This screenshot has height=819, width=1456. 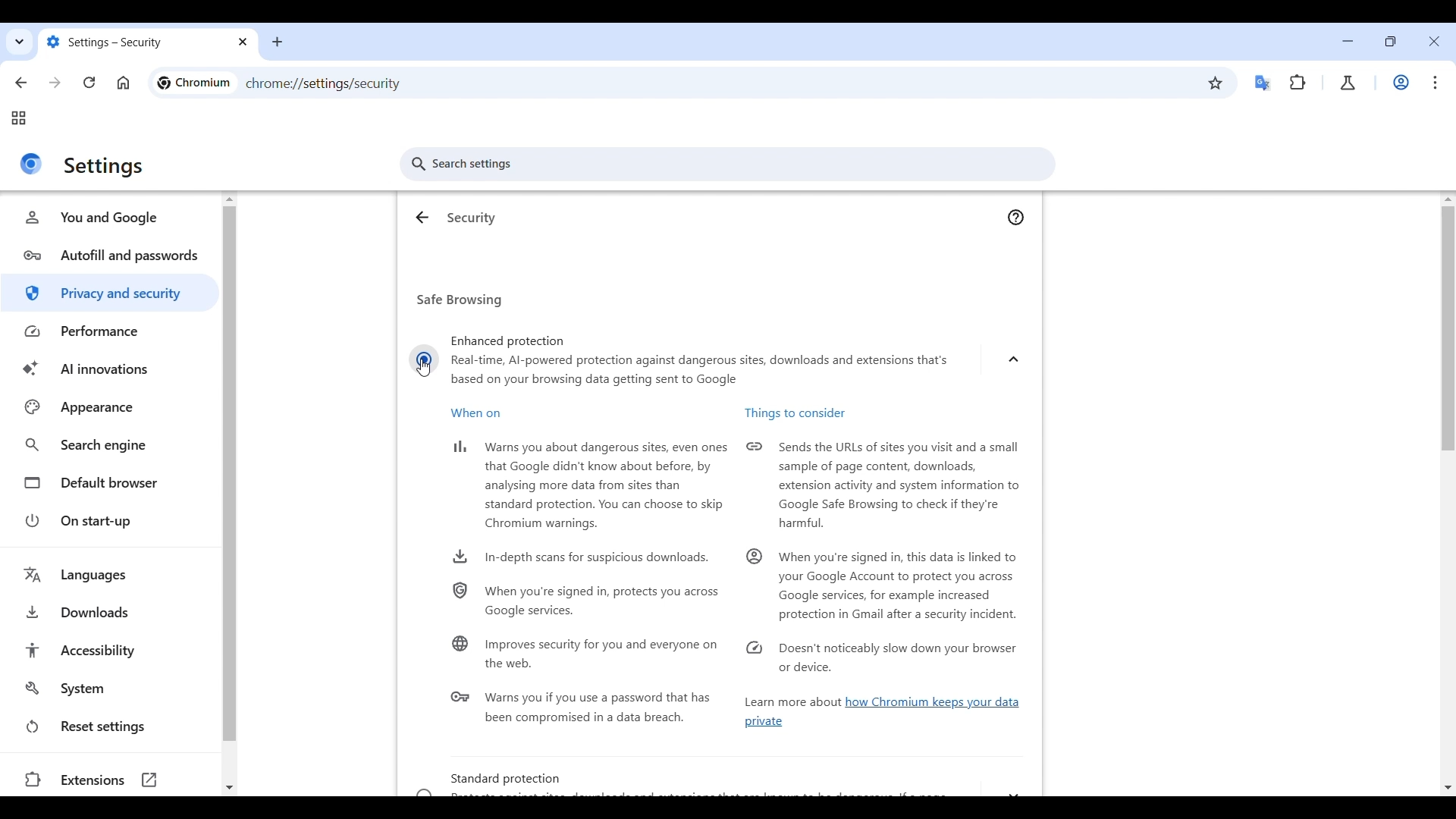 I want to click on Downloads, so click(x=112, y=613).